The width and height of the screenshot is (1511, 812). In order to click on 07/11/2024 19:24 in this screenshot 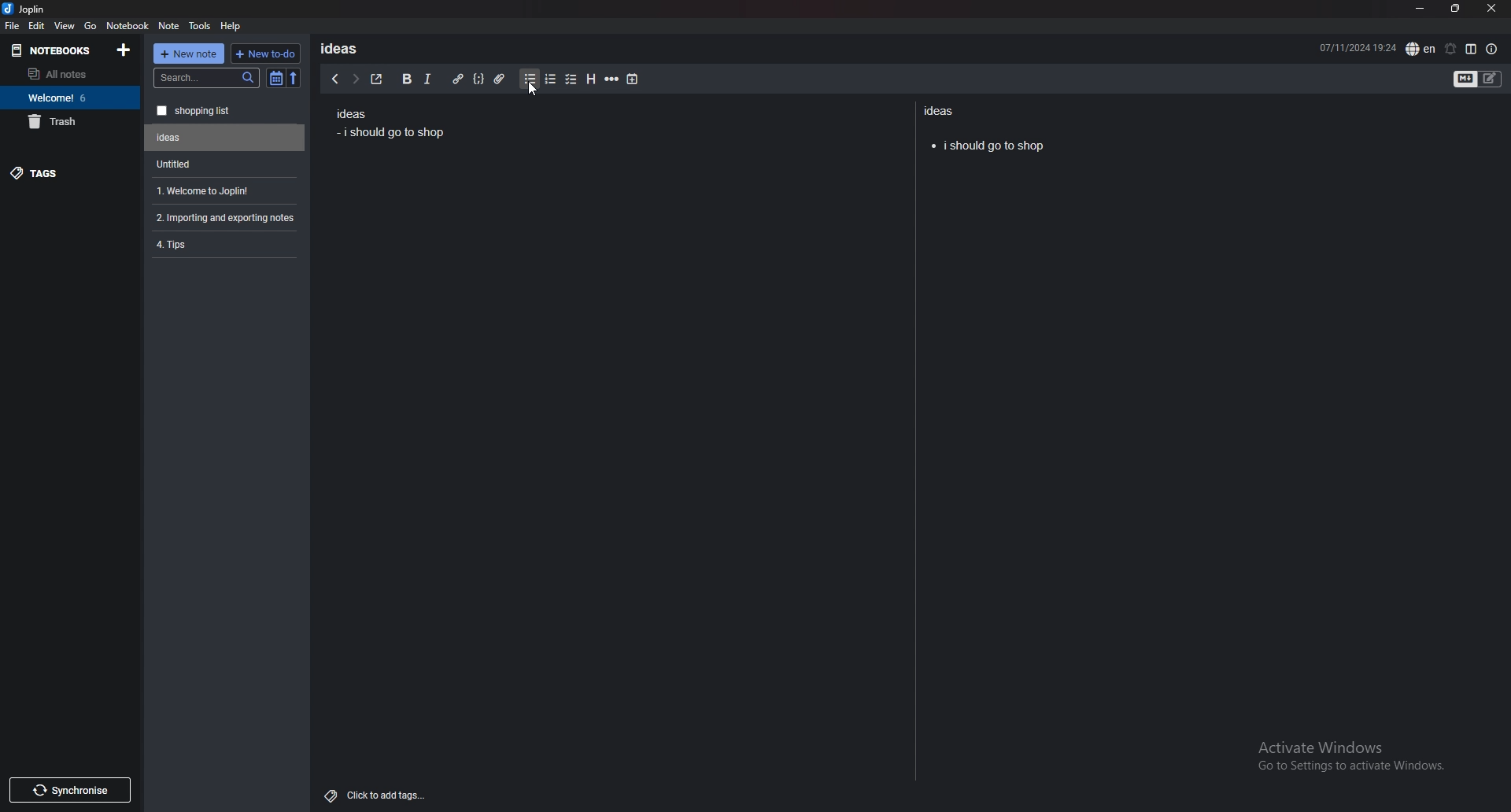, I will do `click(1358, 46)`.